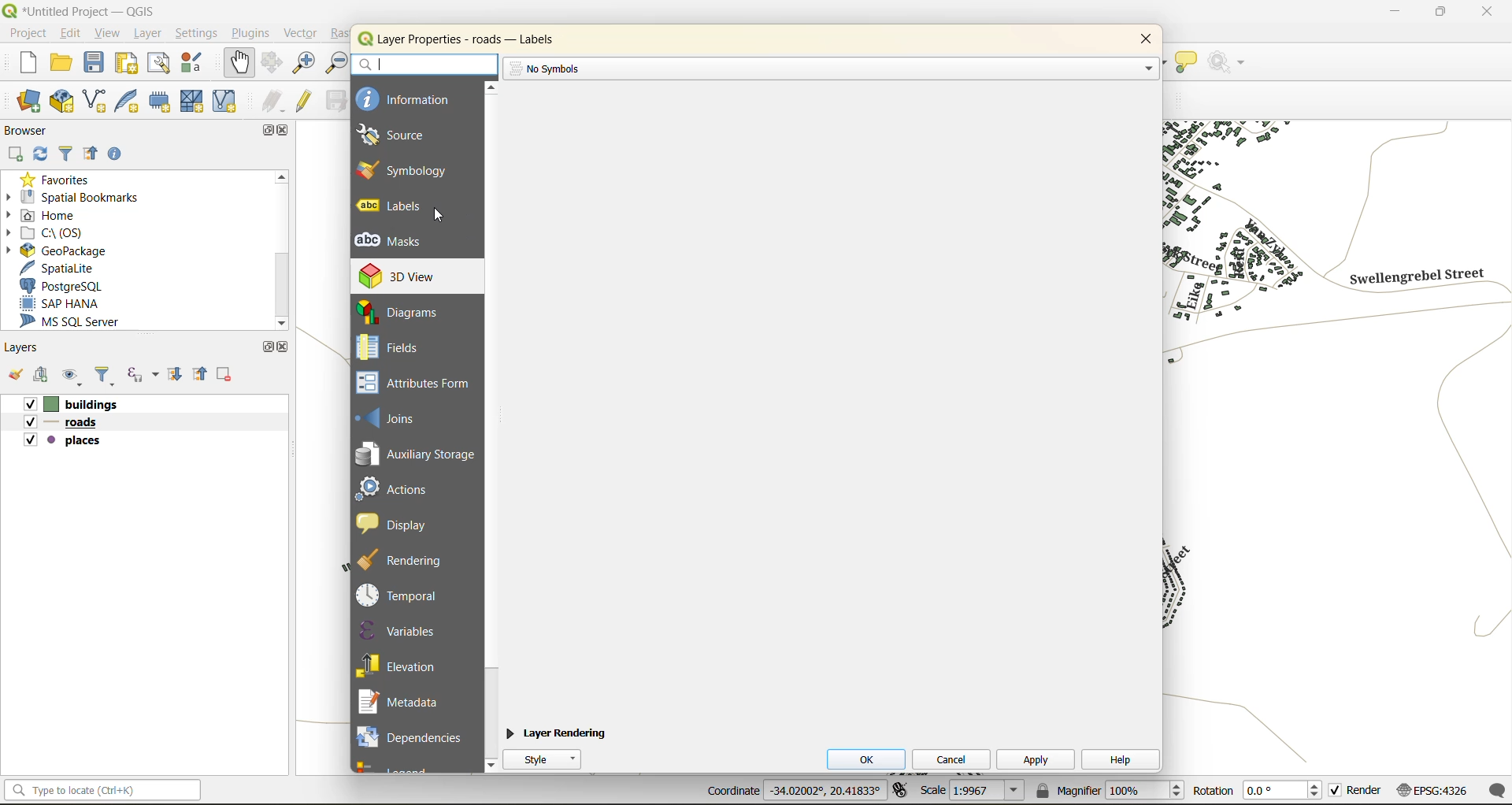 This screenshot has height=805, width=1512. Describe the element at coordinates (287, 349) in the screenshot. I see `close` at that location.